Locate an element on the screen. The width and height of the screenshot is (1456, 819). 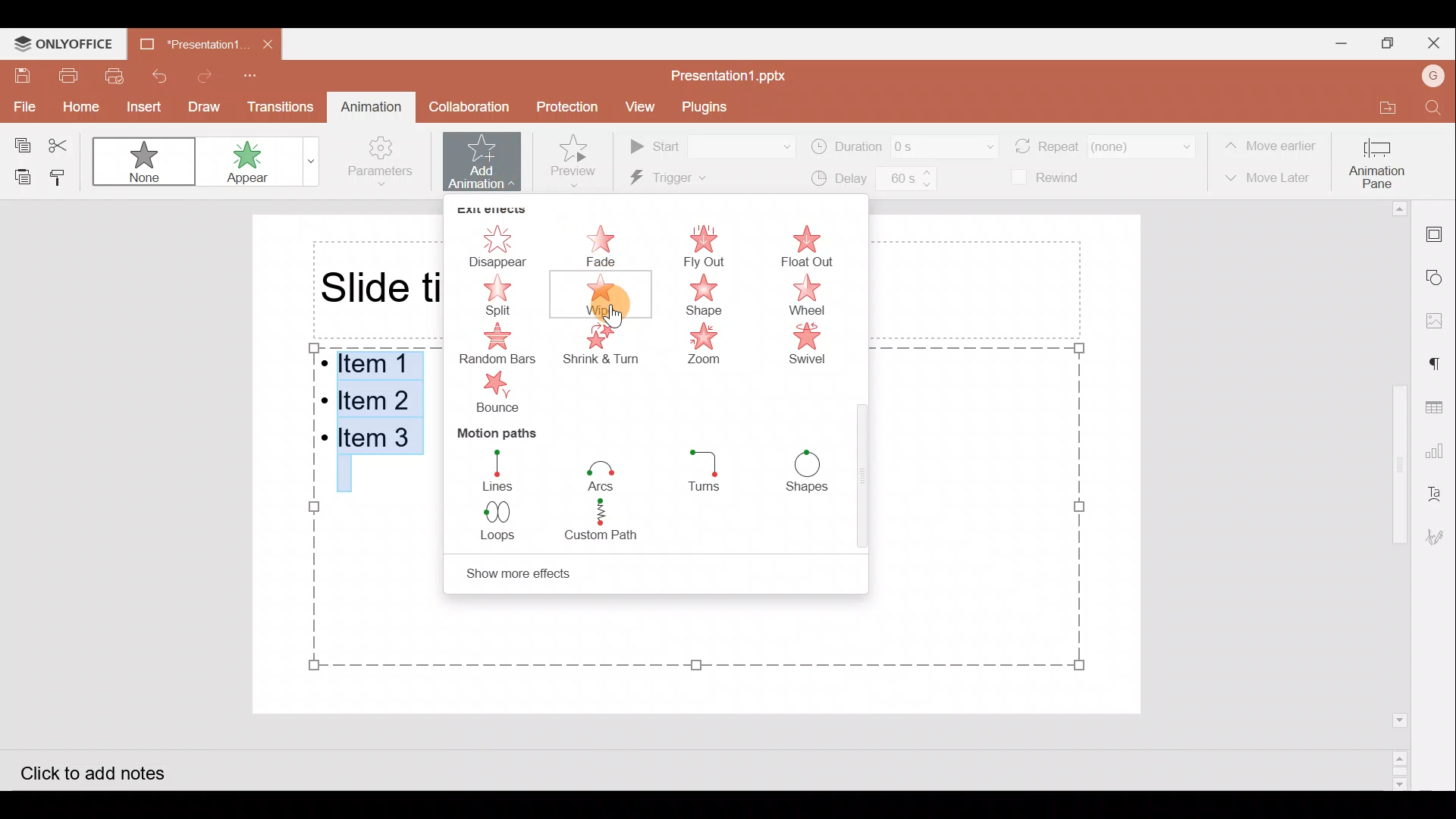
Presentation1. is located at coordinates (186, 46).